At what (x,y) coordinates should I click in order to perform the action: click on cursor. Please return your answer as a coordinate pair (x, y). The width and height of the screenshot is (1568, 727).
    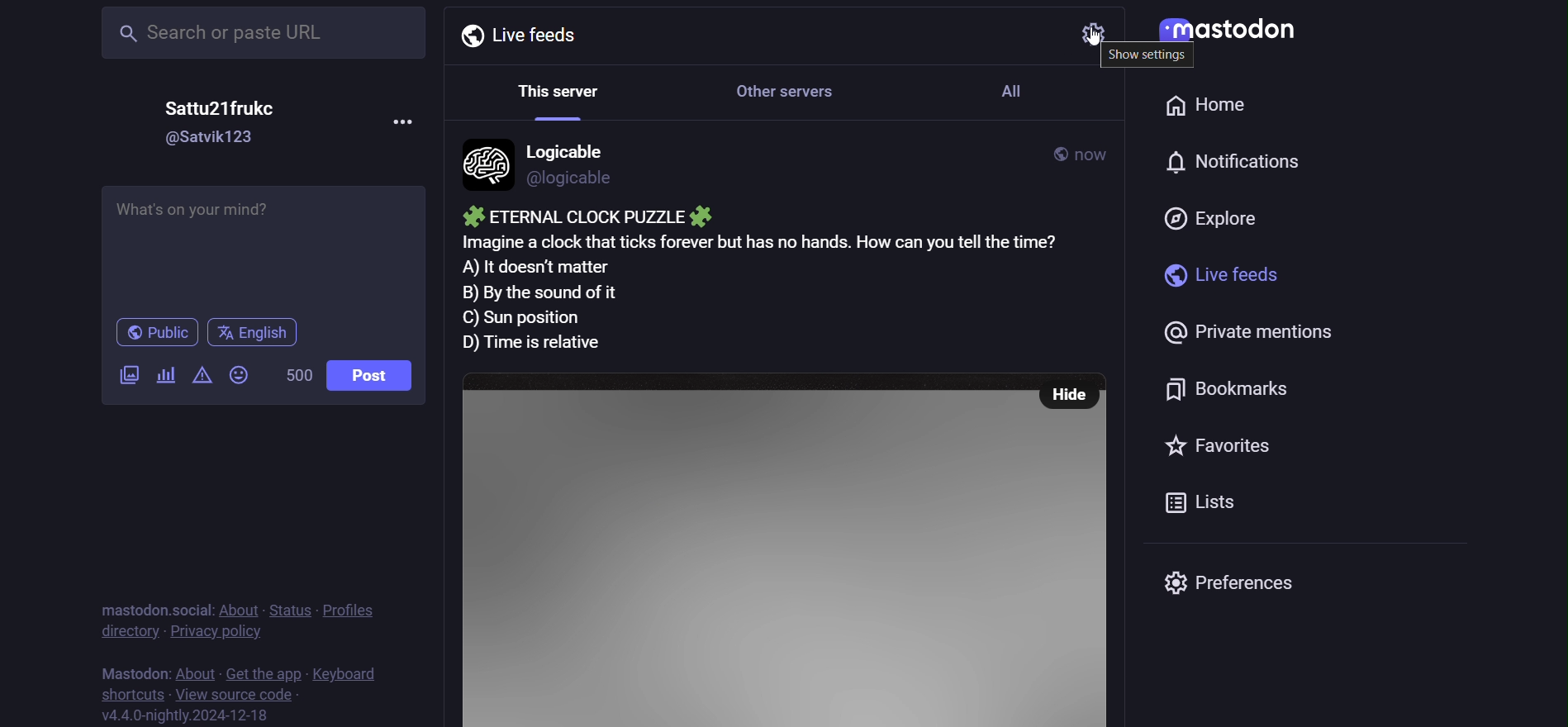
    Looking at the image, I should click on (1105, 45).